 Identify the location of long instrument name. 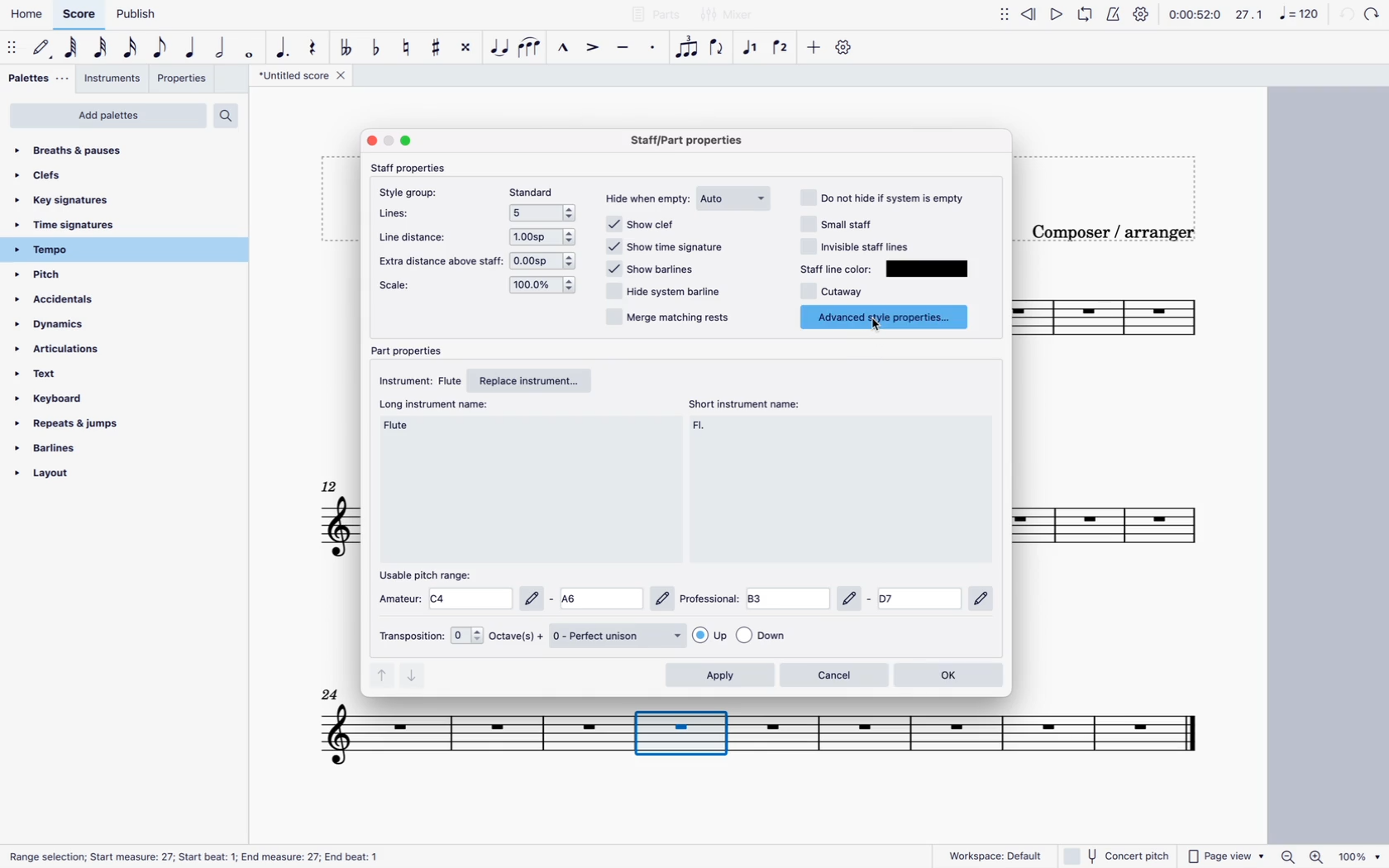
(436, 407).